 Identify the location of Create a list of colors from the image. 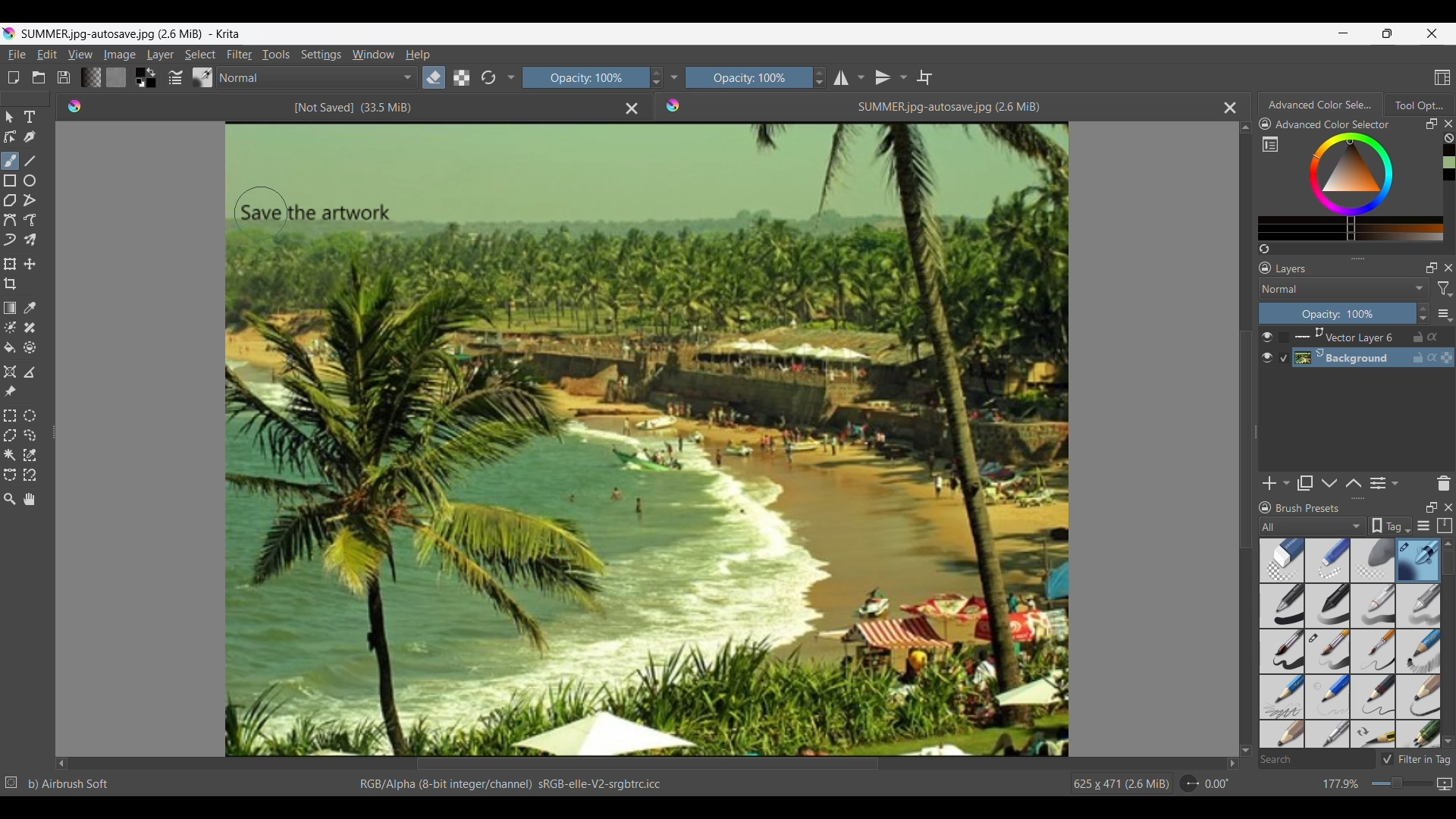
(1264, 249).